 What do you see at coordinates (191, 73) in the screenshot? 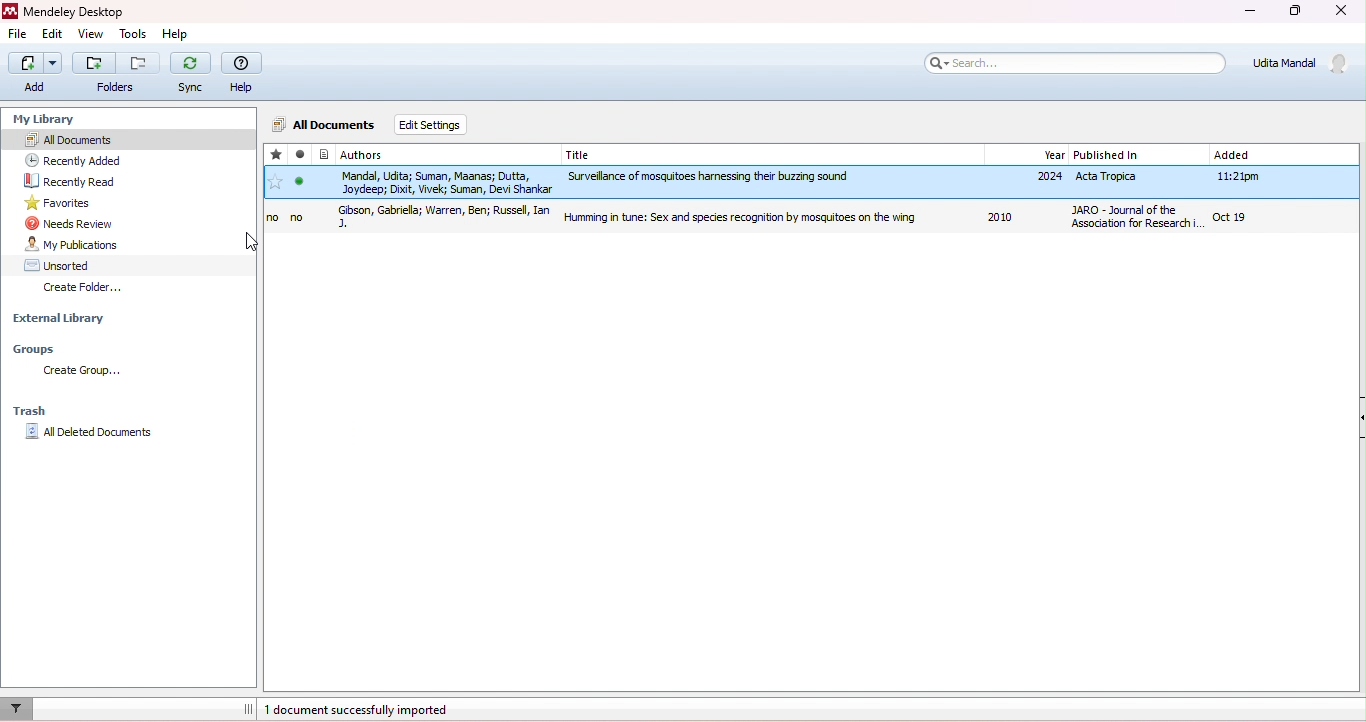
I see `sync` at bounding box center [191, 73].